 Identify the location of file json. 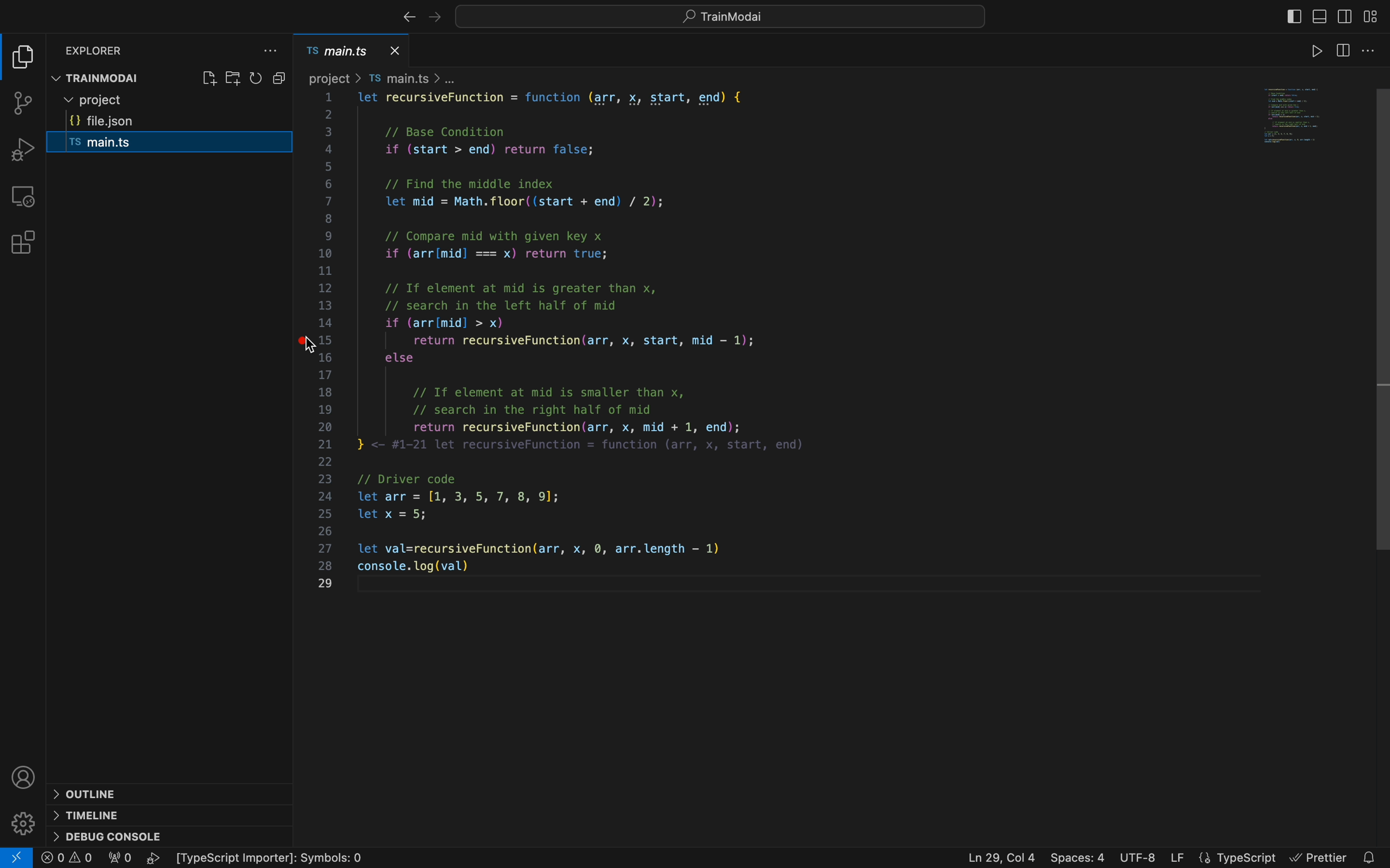
(164, 122).